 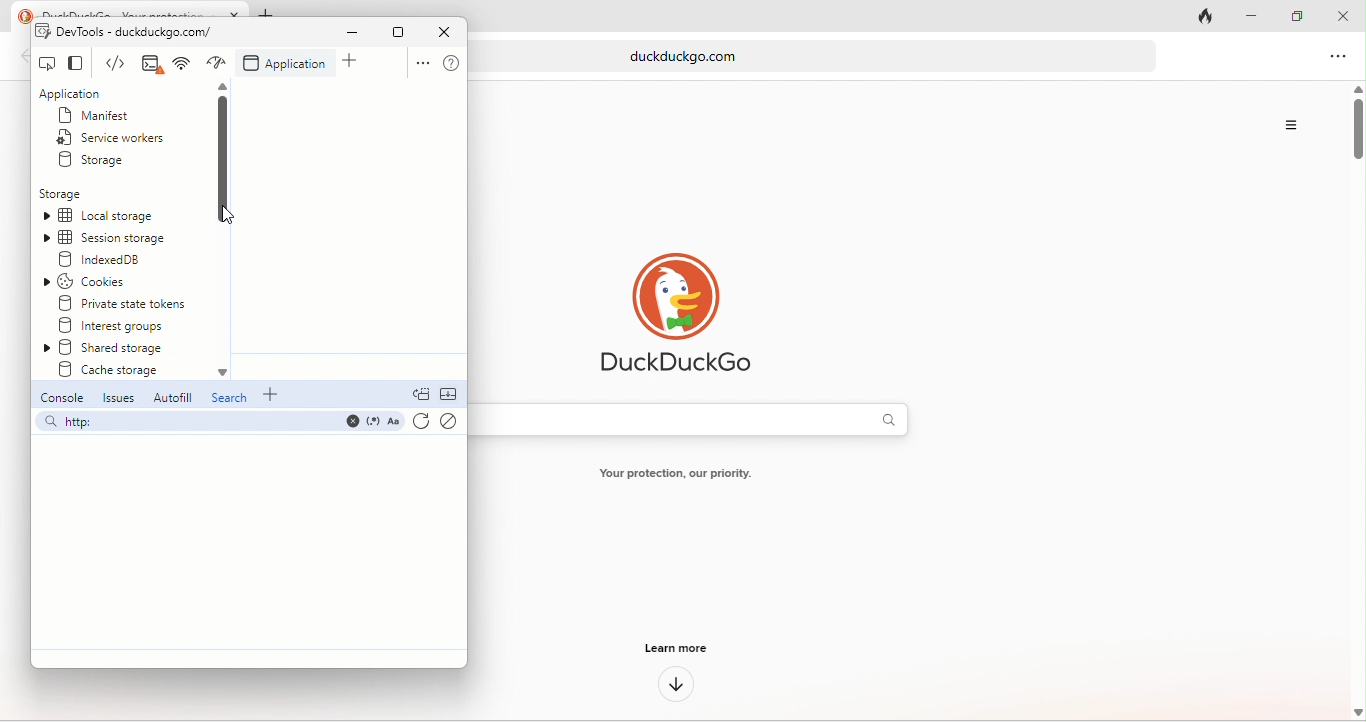 What do you see at coordinates (700, 419) in the screenshot?
I see `search bar` at bounding box center [700, 419].